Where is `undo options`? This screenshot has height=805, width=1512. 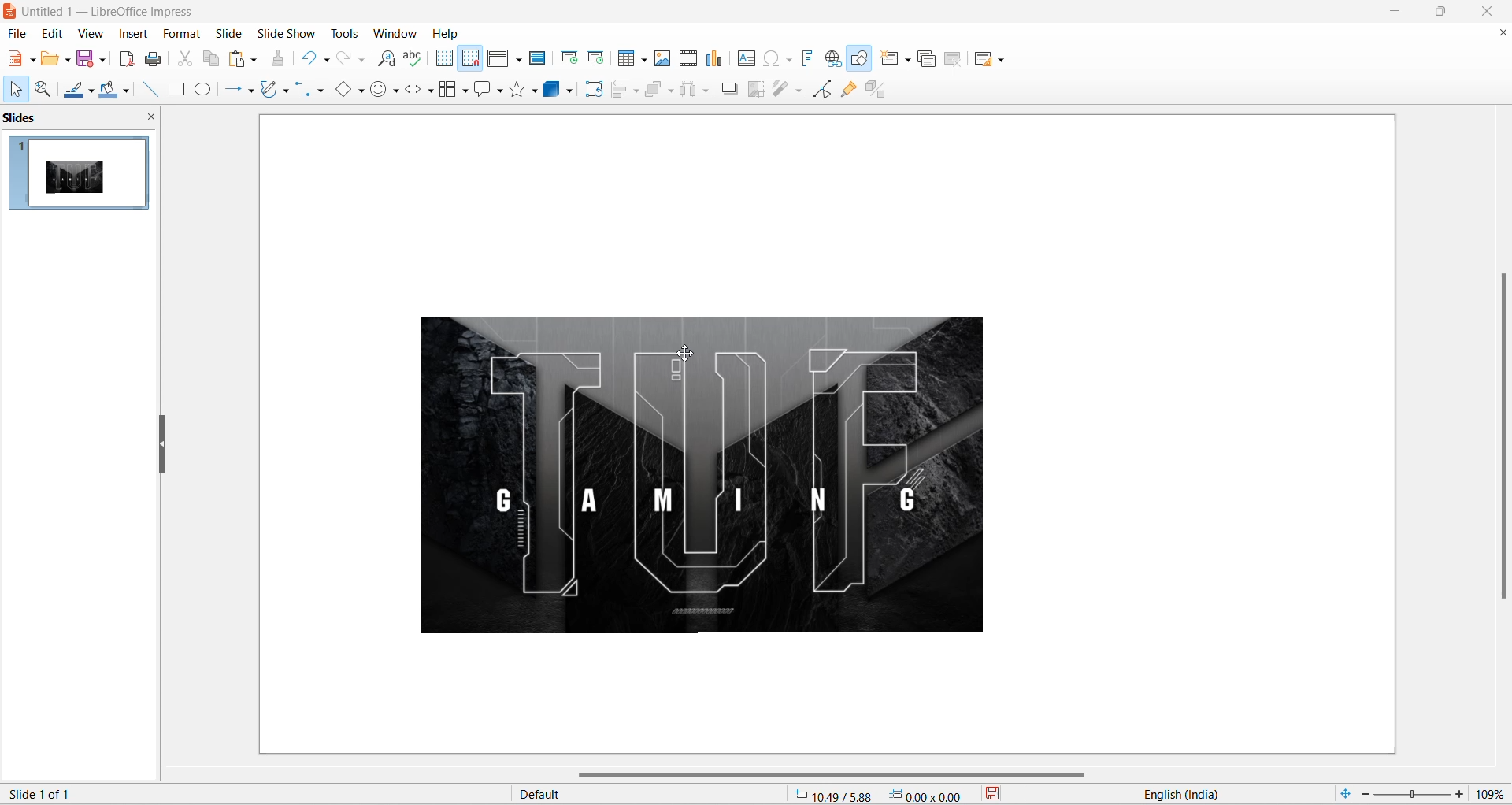
undo options is located at coordinates (325, 61).